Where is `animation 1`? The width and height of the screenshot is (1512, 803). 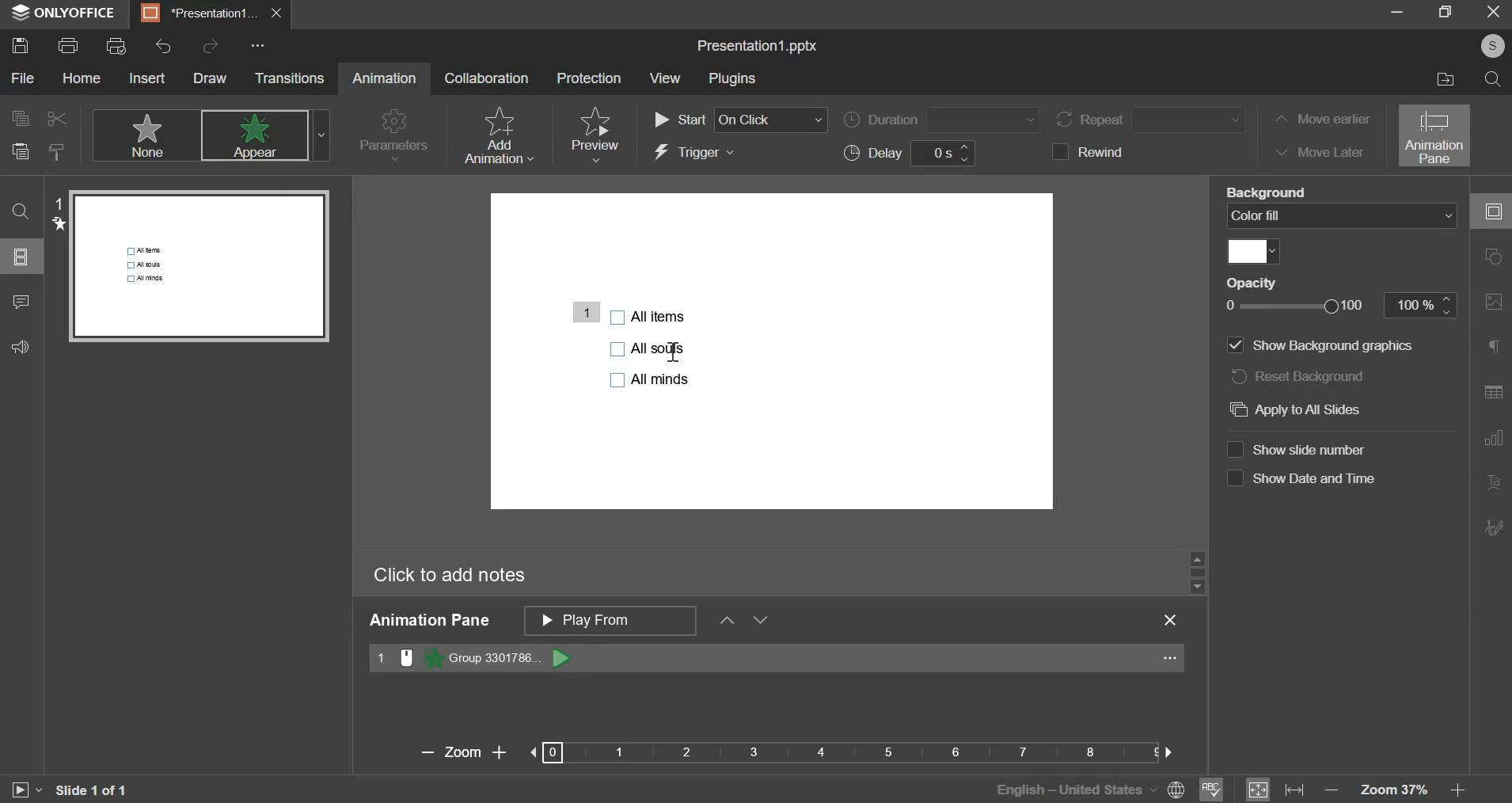 animation 1 is located at coordinates (473, 657).